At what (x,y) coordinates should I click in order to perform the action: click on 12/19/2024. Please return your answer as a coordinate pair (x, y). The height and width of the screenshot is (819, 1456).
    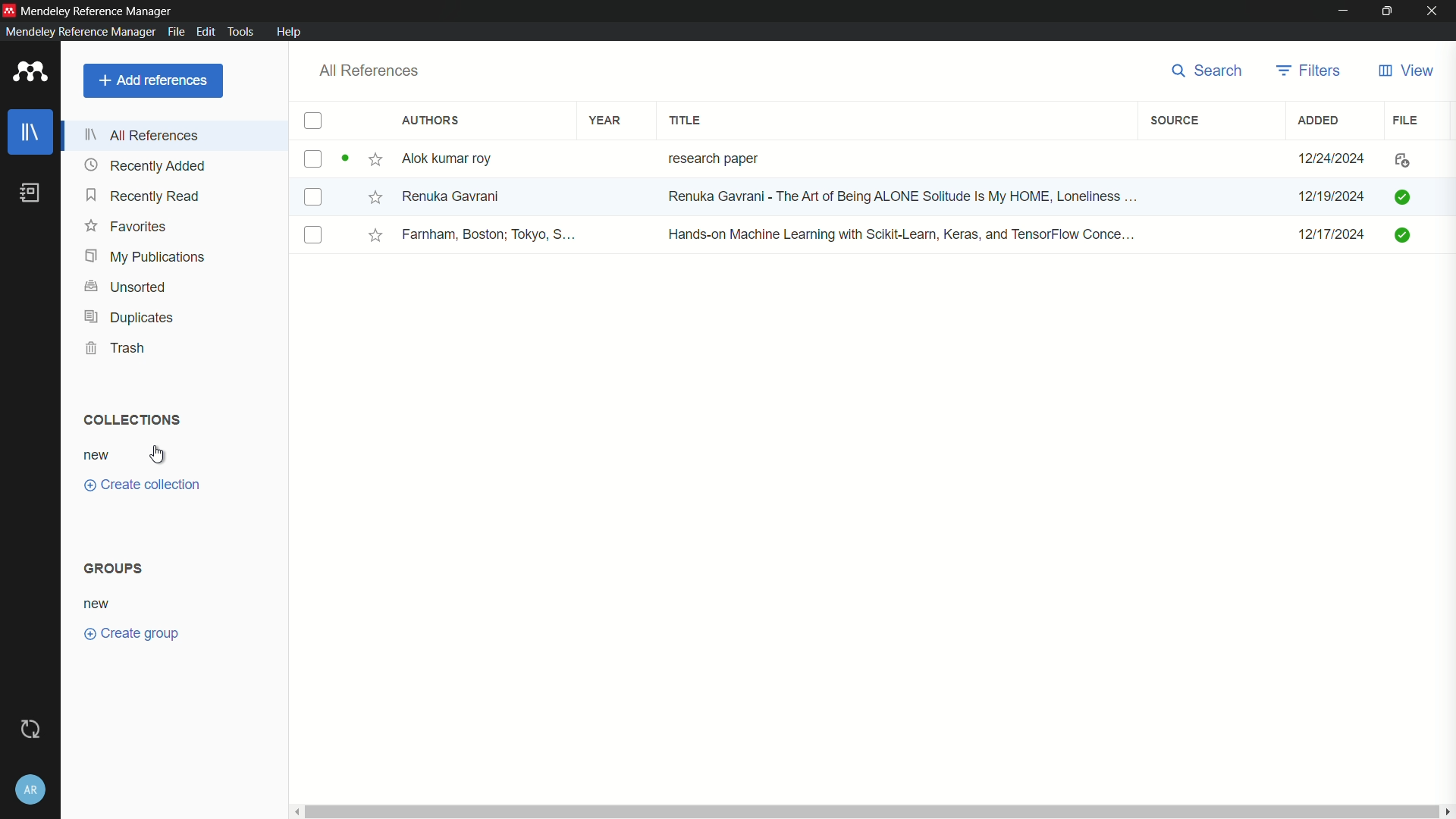
    Looking at the image, I should click on (1328, 196).